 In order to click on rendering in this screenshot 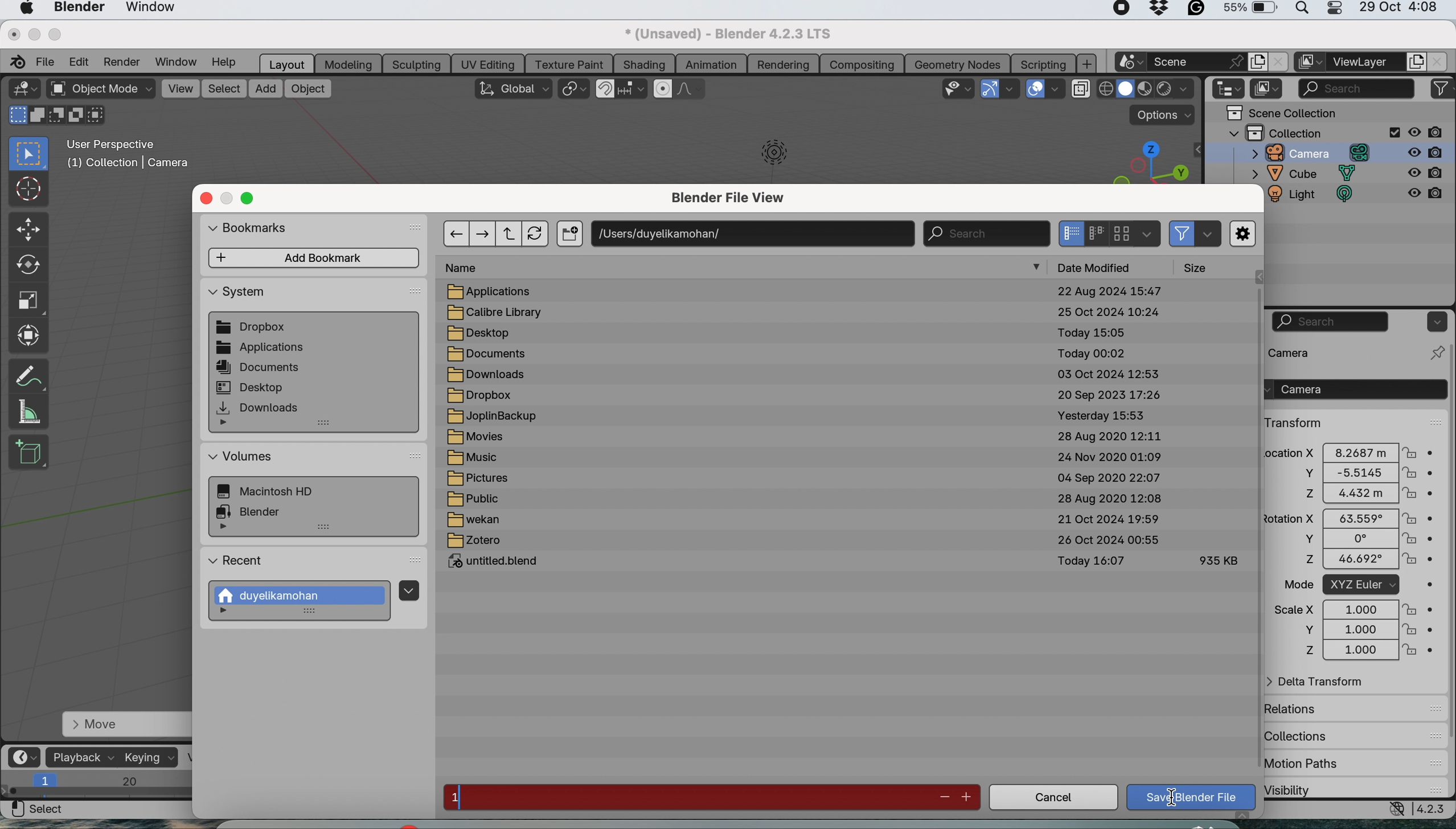, I will do `click(783, 64)`.